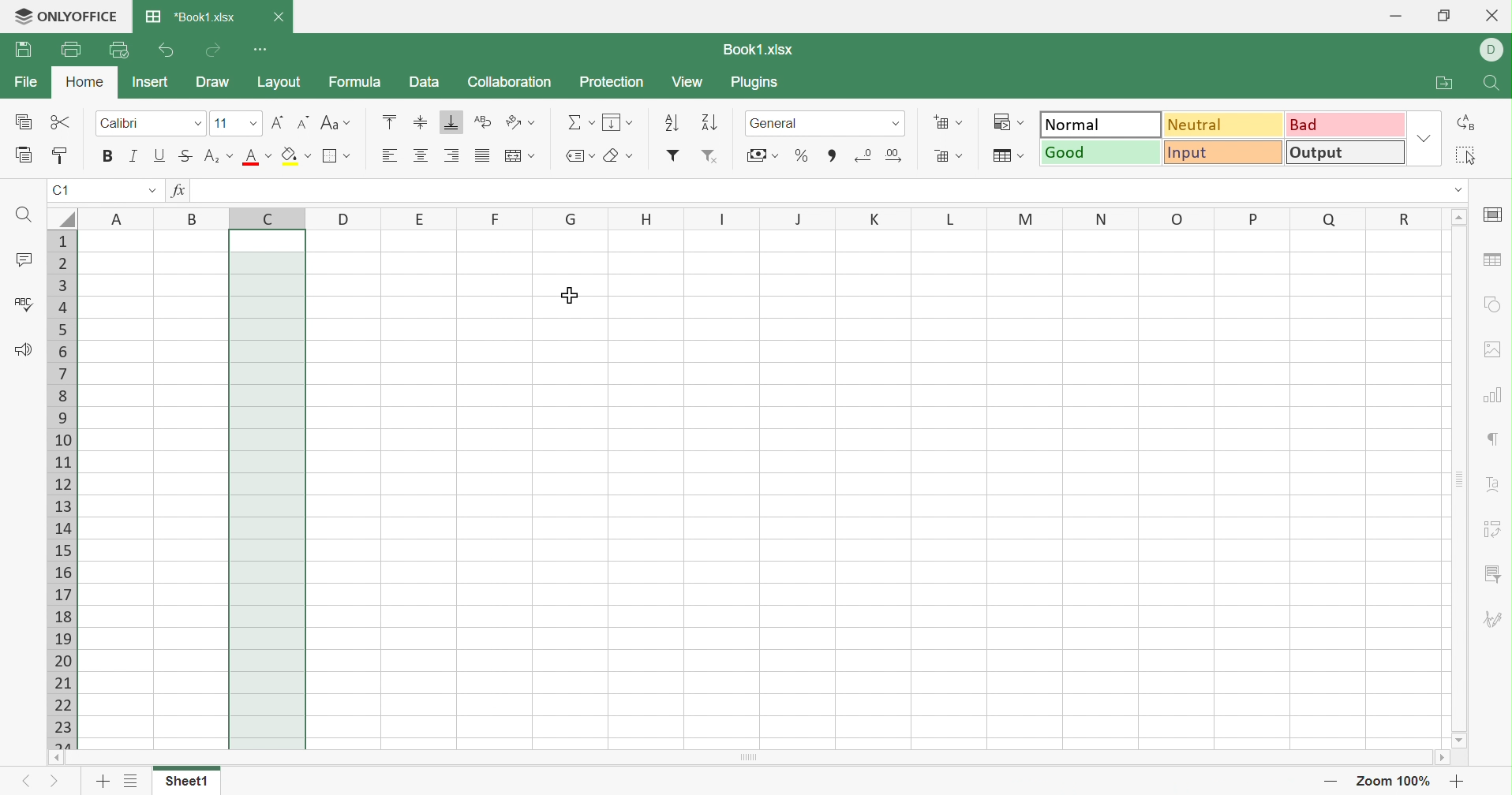  I want to click on Drop Down, so click(961, 121).